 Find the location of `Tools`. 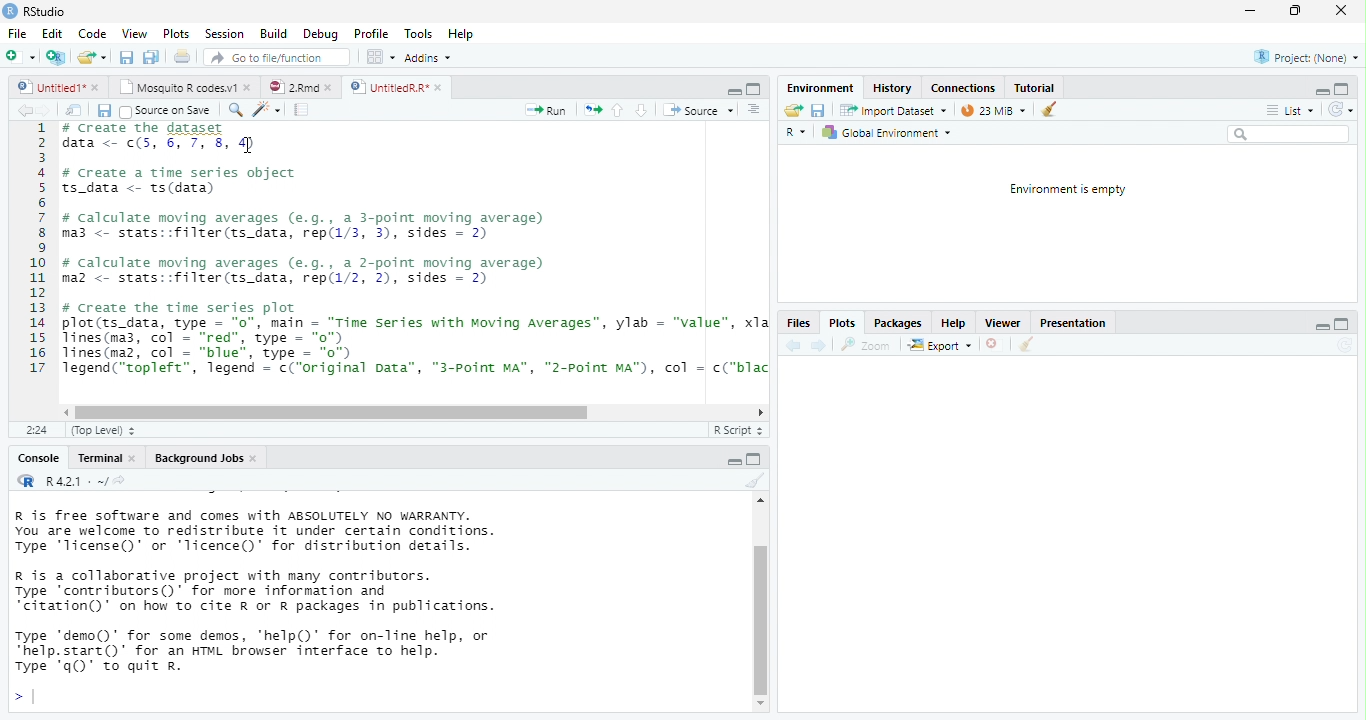

Tools is located at coordinates (419, 33).